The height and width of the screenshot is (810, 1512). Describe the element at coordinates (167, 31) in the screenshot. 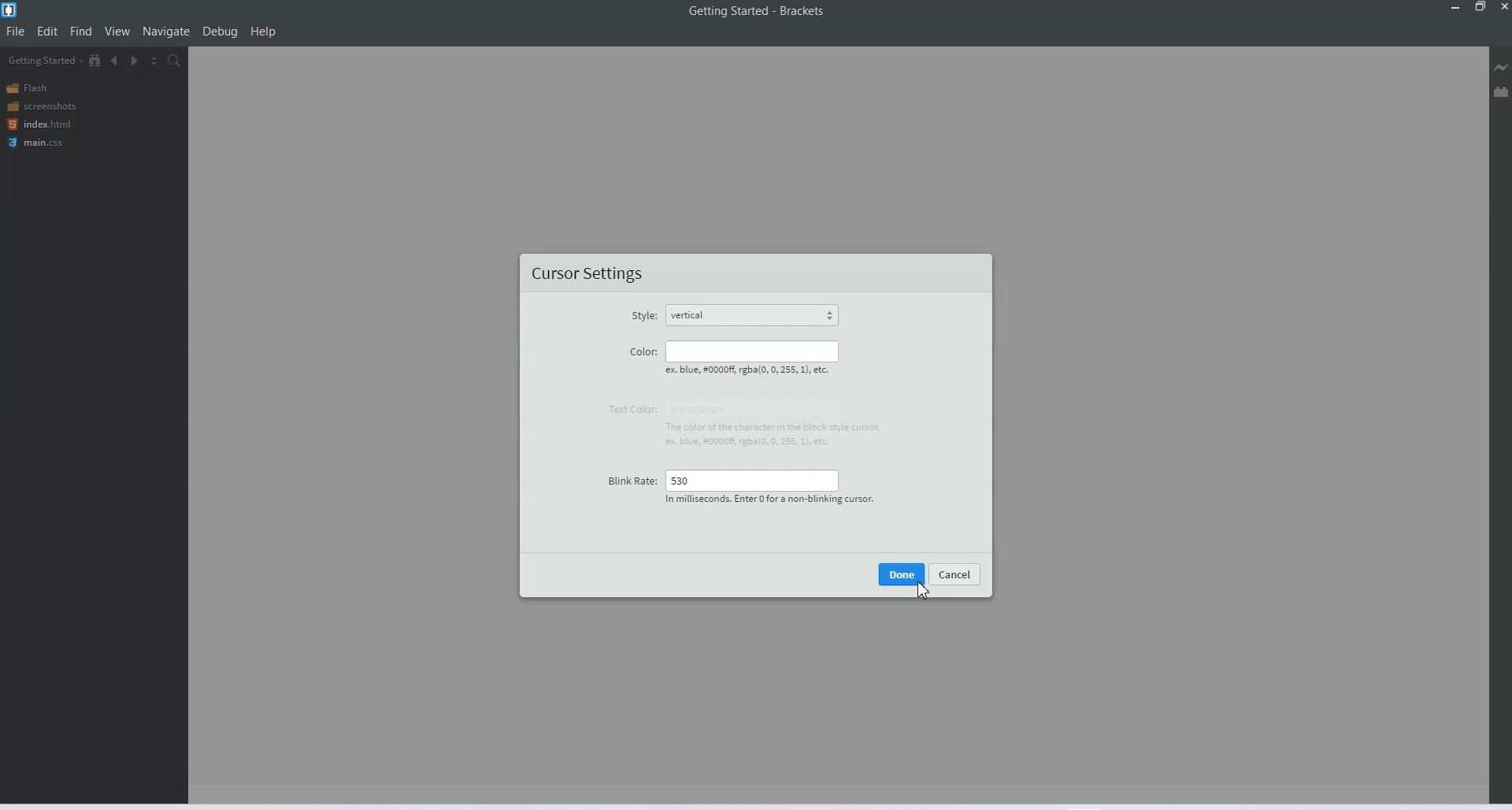

I see `Navigation` at that location.